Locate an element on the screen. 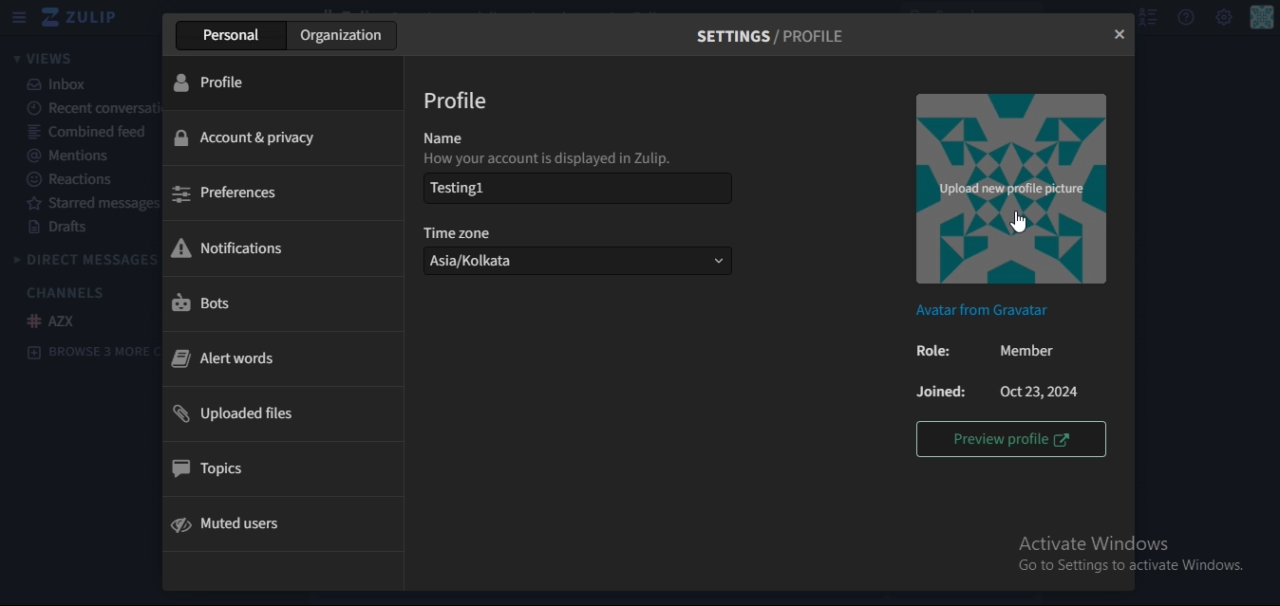  close is located at coordinates (1120, 33).